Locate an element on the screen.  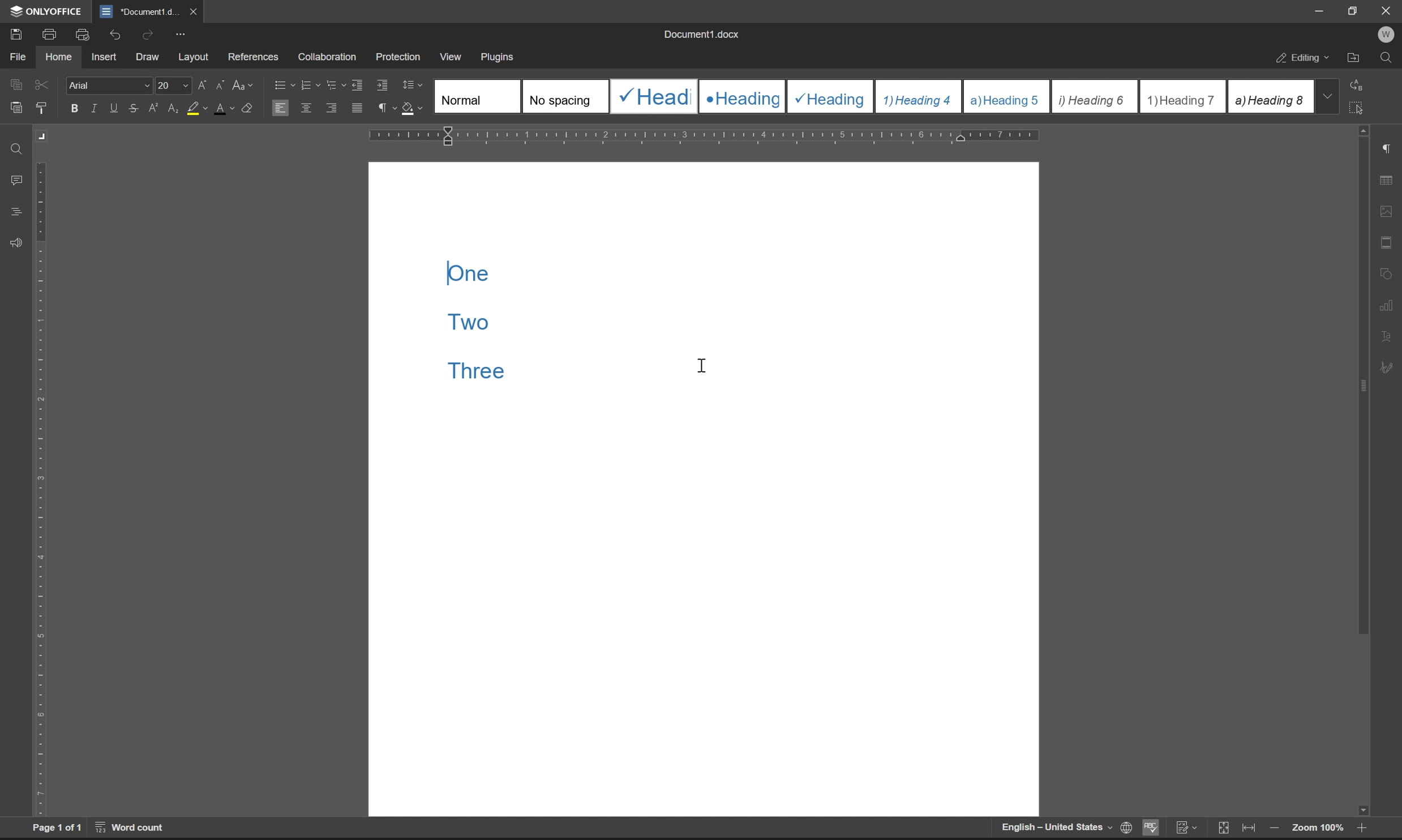
close is located at coordinates (192, 11).